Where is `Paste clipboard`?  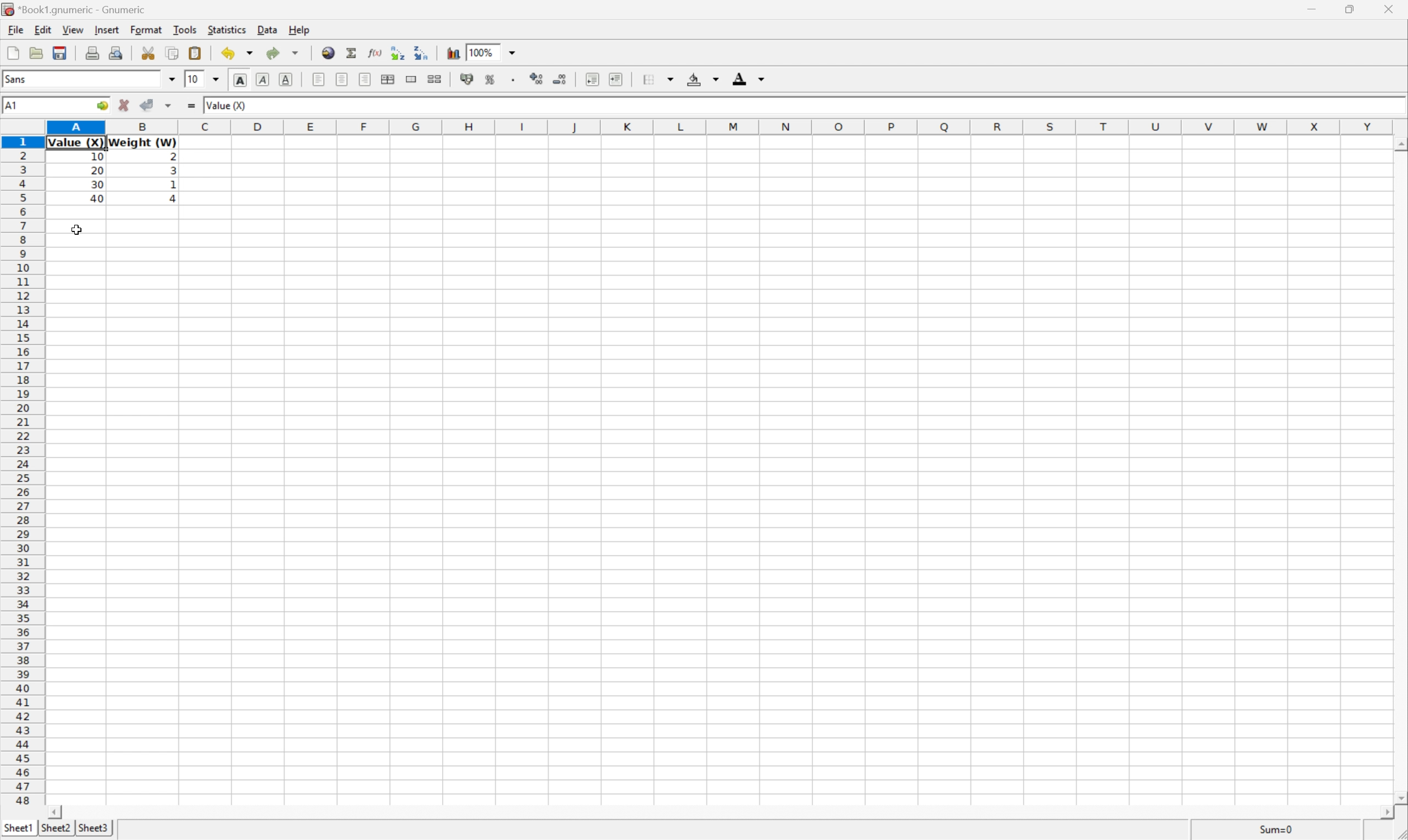 Paste clipboard is located at coordinates (196, 51).